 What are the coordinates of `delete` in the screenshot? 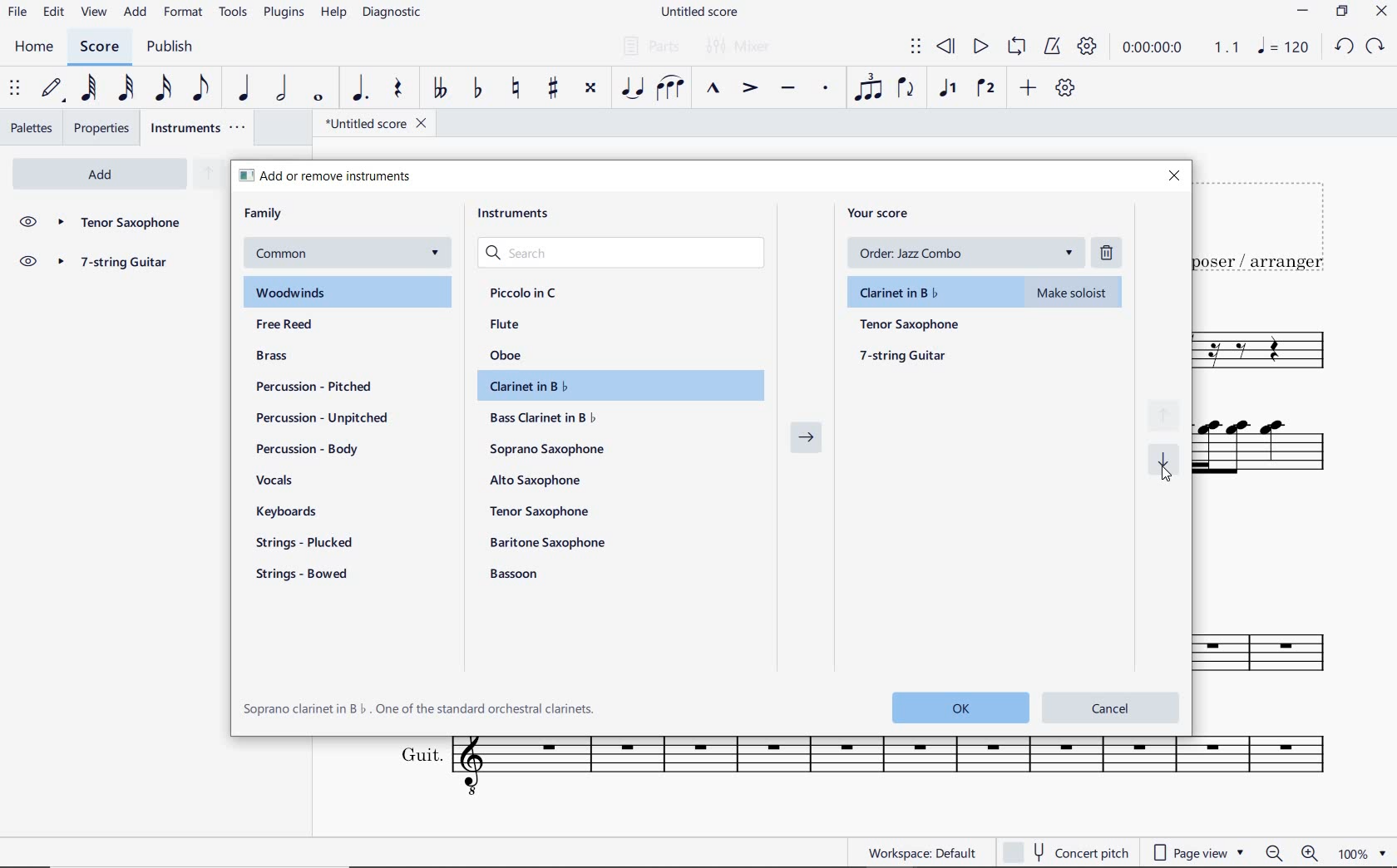 It's located at (1109, 252).